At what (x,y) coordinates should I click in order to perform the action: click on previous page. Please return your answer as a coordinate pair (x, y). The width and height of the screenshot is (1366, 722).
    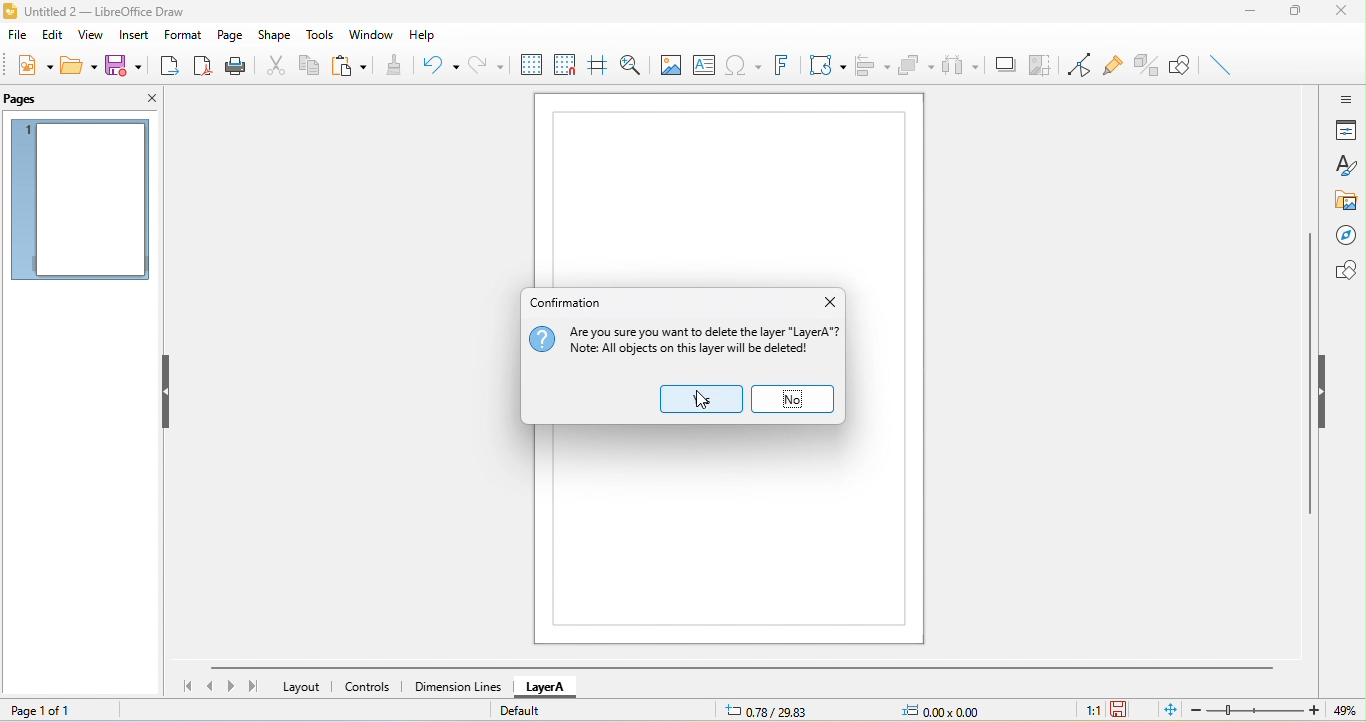
    Looking at the image, I should click on (210, 686).